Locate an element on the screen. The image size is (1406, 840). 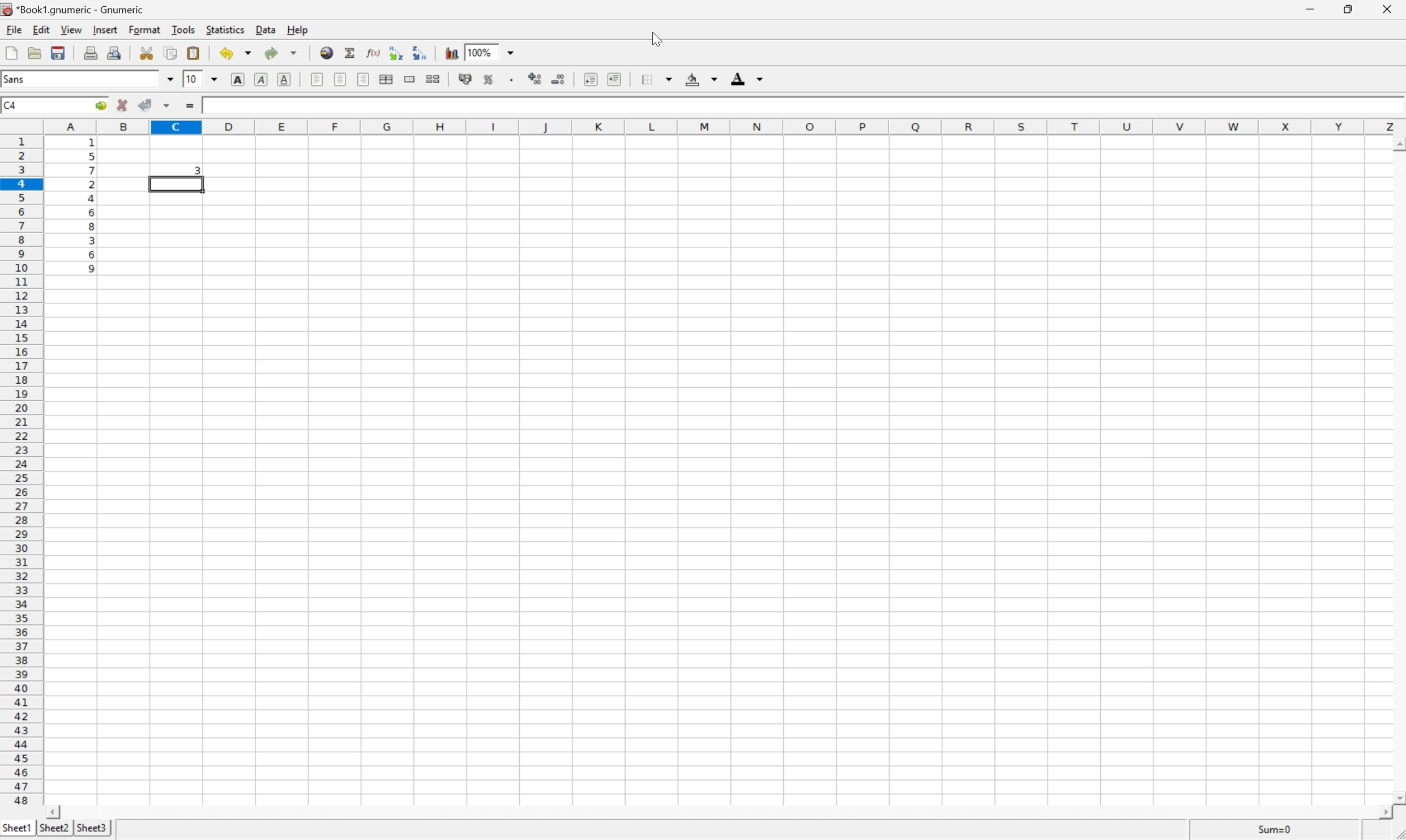
copy is located at coordinates (170, 52).